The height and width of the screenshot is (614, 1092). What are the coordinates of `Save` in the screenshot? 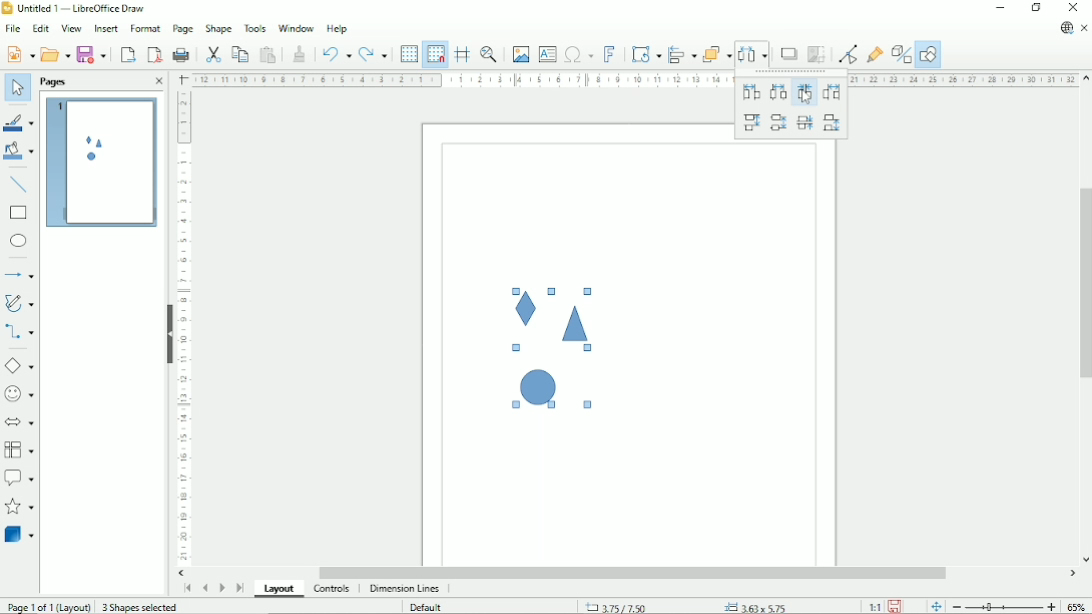 It's located at (94, 53).